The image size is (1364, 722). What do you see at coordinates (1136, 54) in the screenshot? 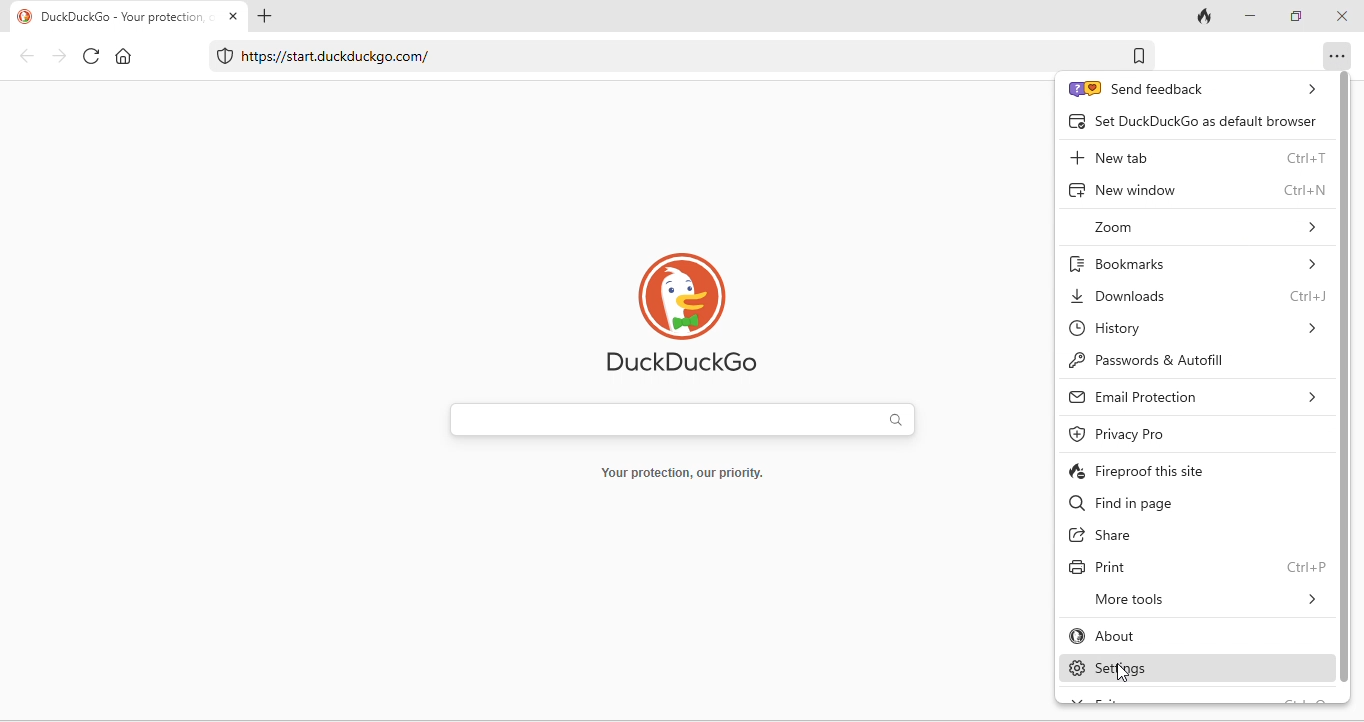
I see `add bookmark` at bounding box center [1136, 54].